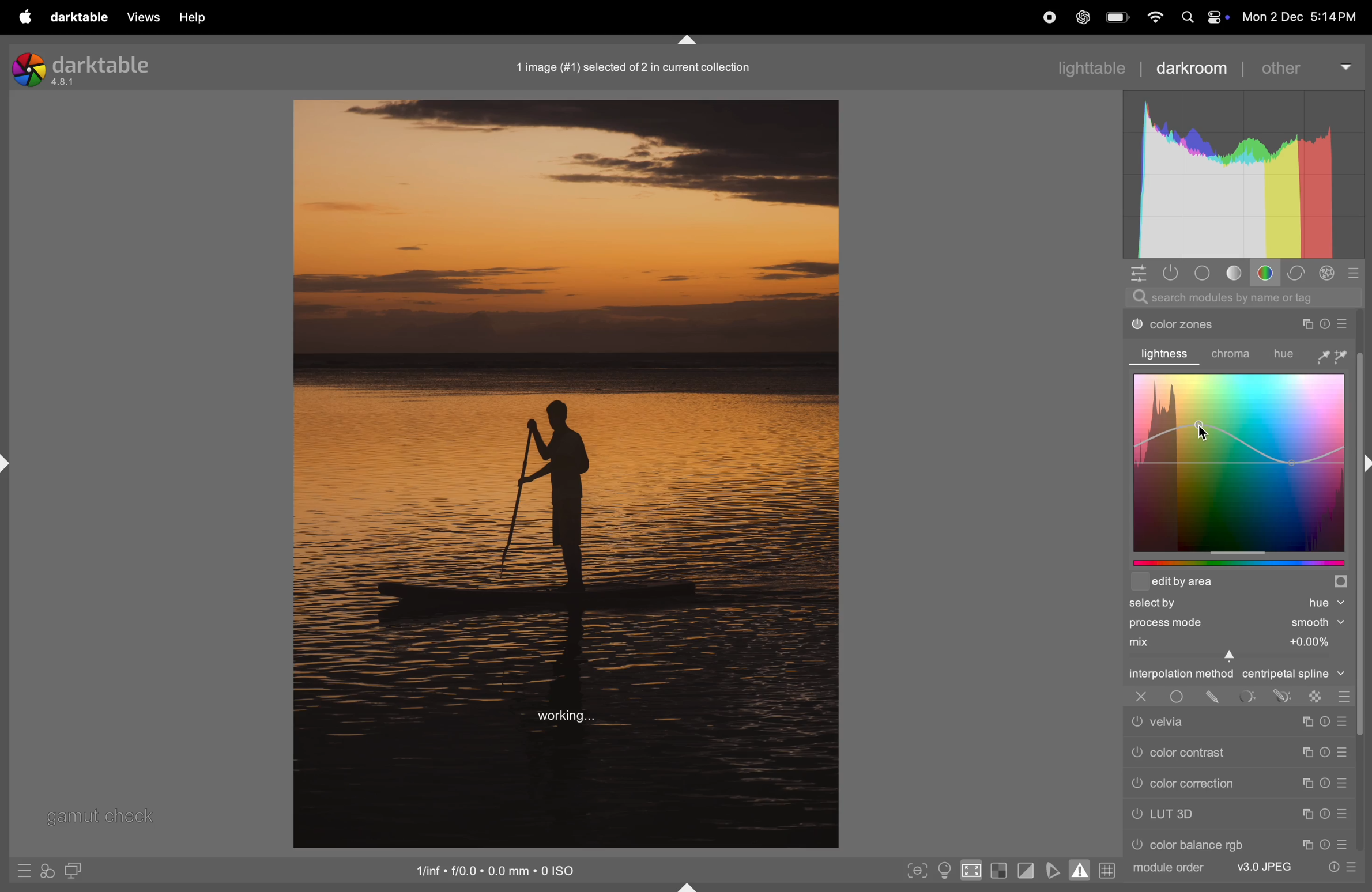  What do you see at coordinates (915, 870) in the screenshot?
I see `toggle peak focusing mode` at bounding box center [915, 870].